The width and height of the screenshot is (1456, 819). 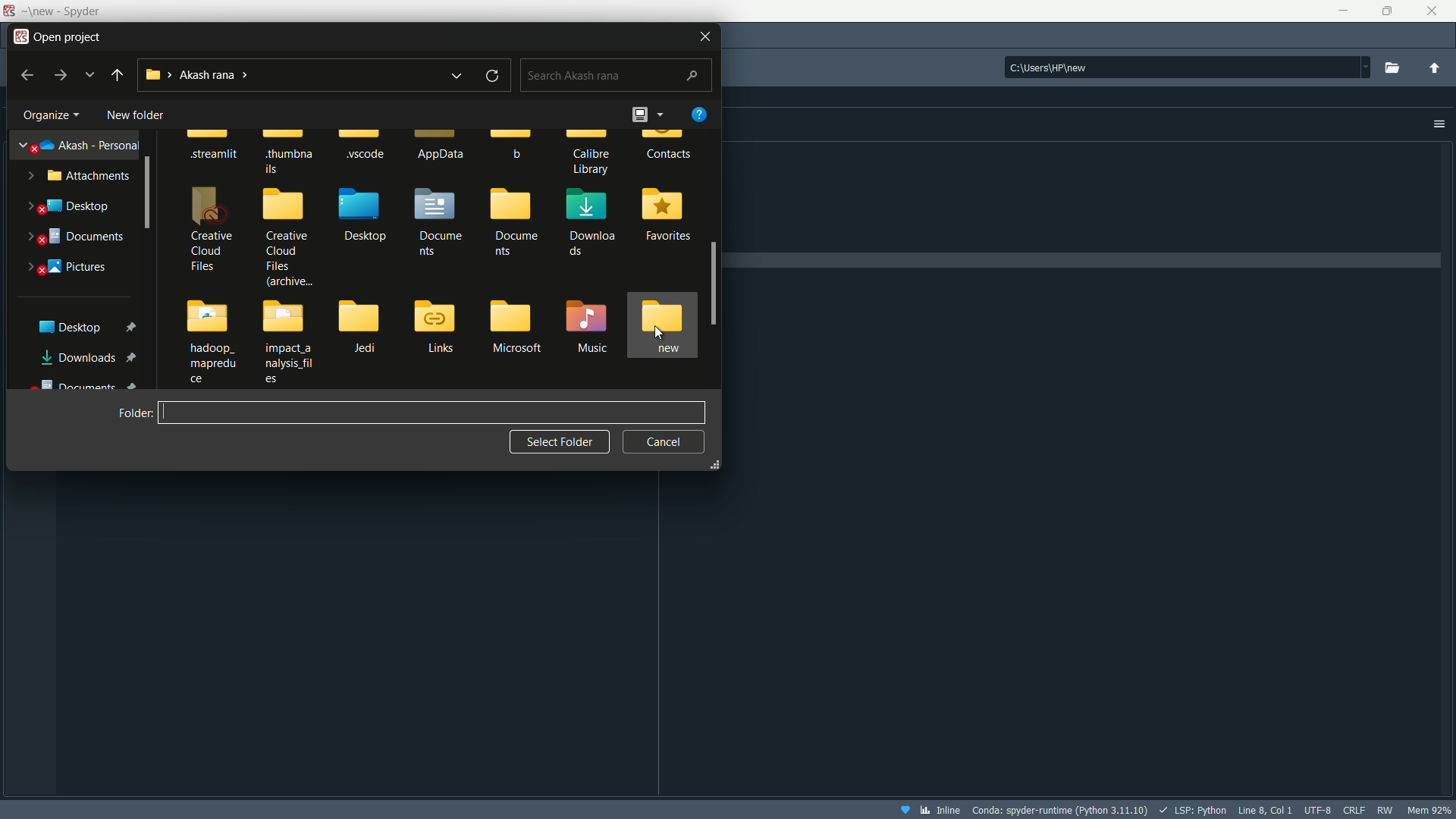 I want to click on organize, so click(x=49, y=117).